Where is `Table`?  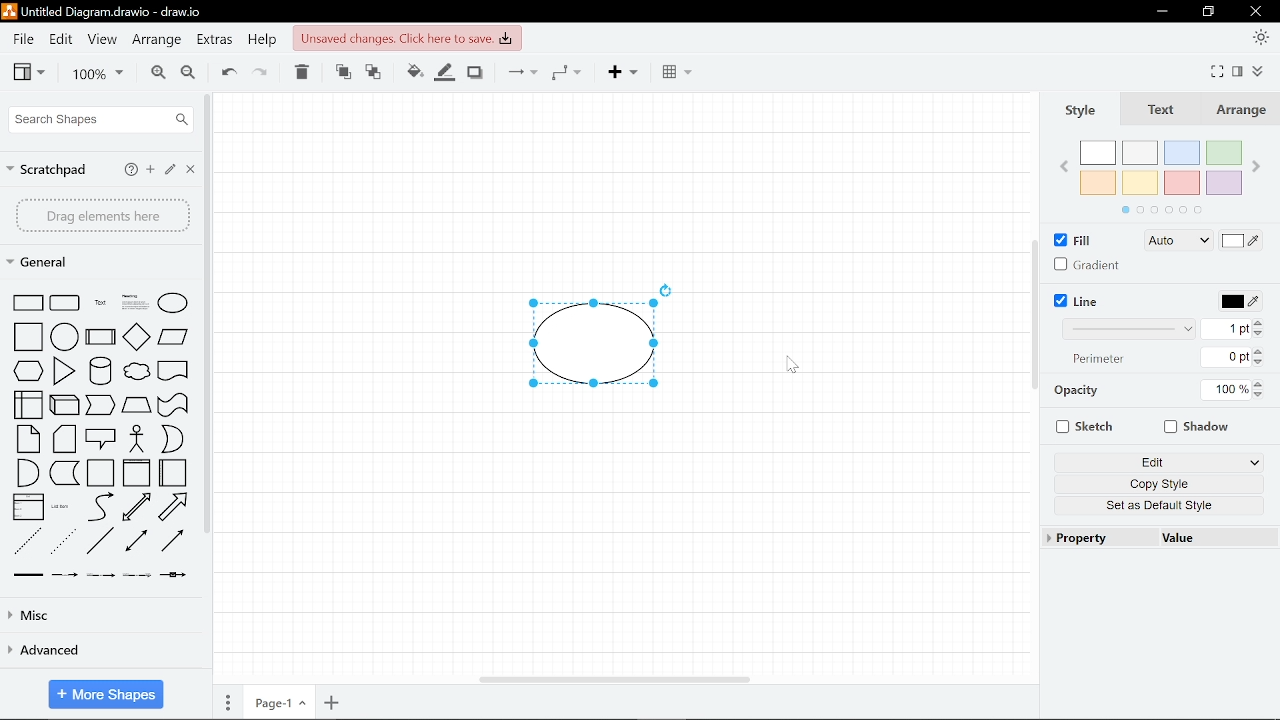
Table is located at coordinates (678, 71).